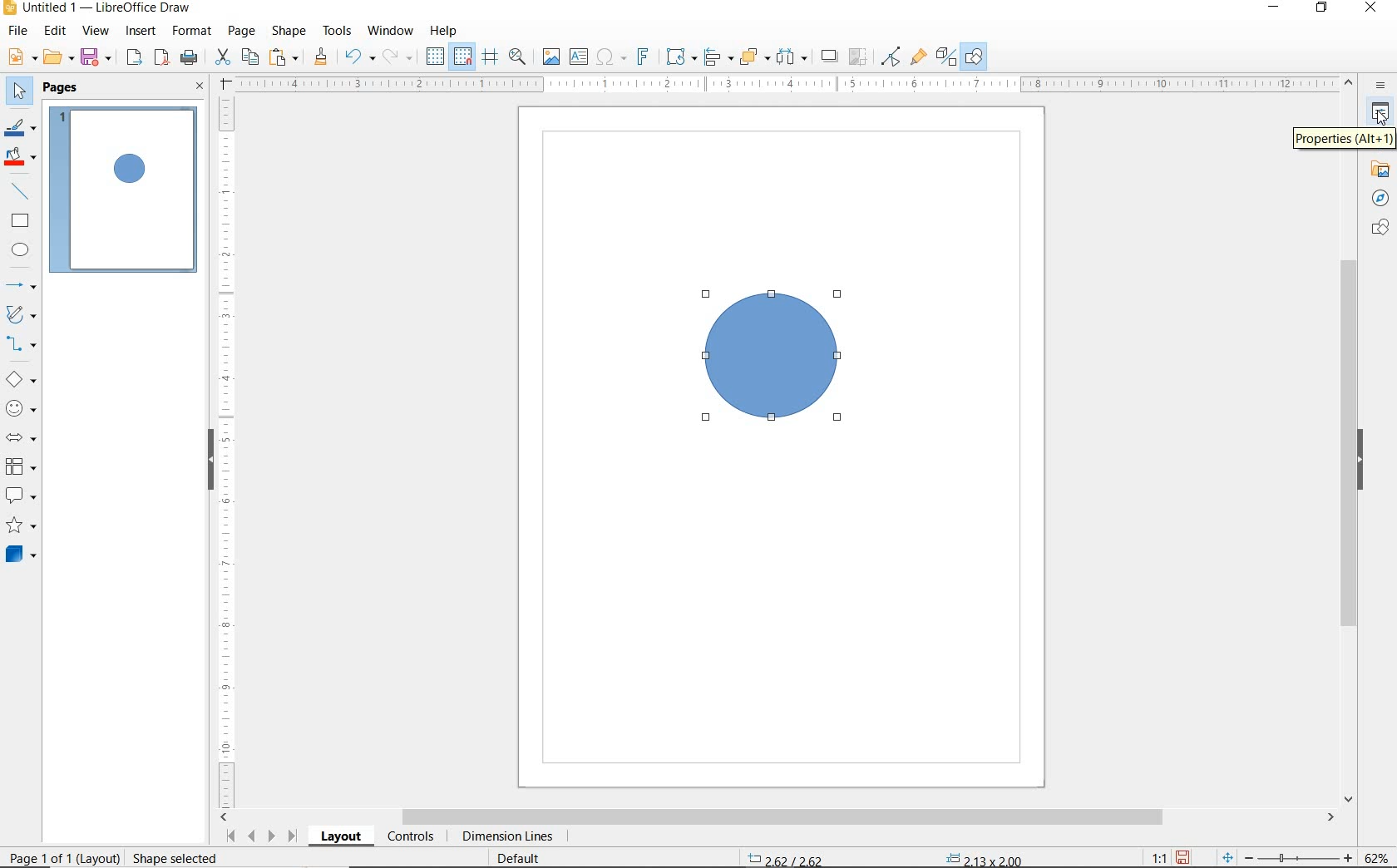 This screenshot has height=868, width=1397. Describe the element at coordinates (891, 55) in the screenshot. I see `TOGGLE POINT EDIT MODE` at that location.